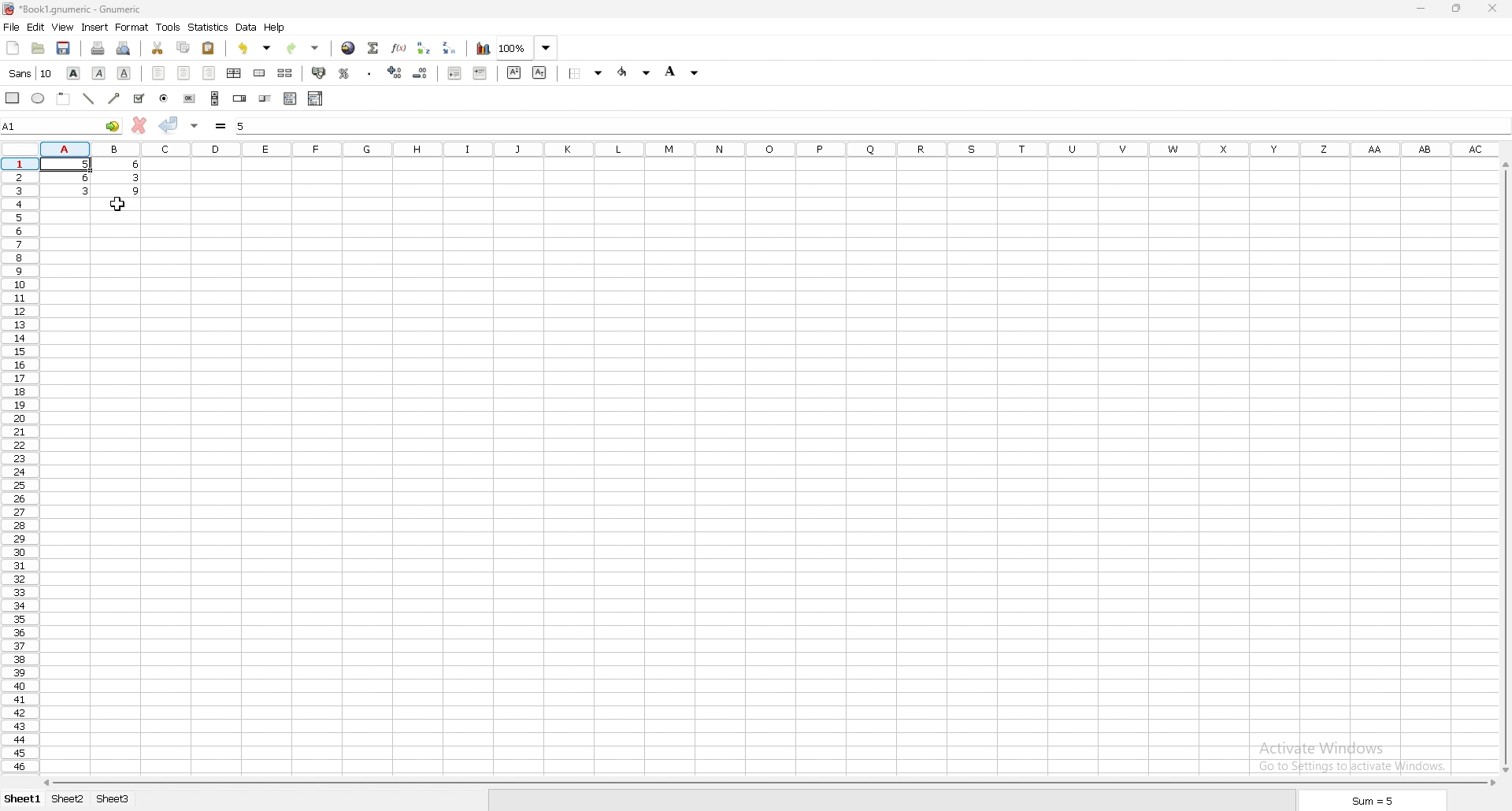 Image resolution: width=1512 pixels, height=811 pixels. I want to click on percentage, so click(343, 72).